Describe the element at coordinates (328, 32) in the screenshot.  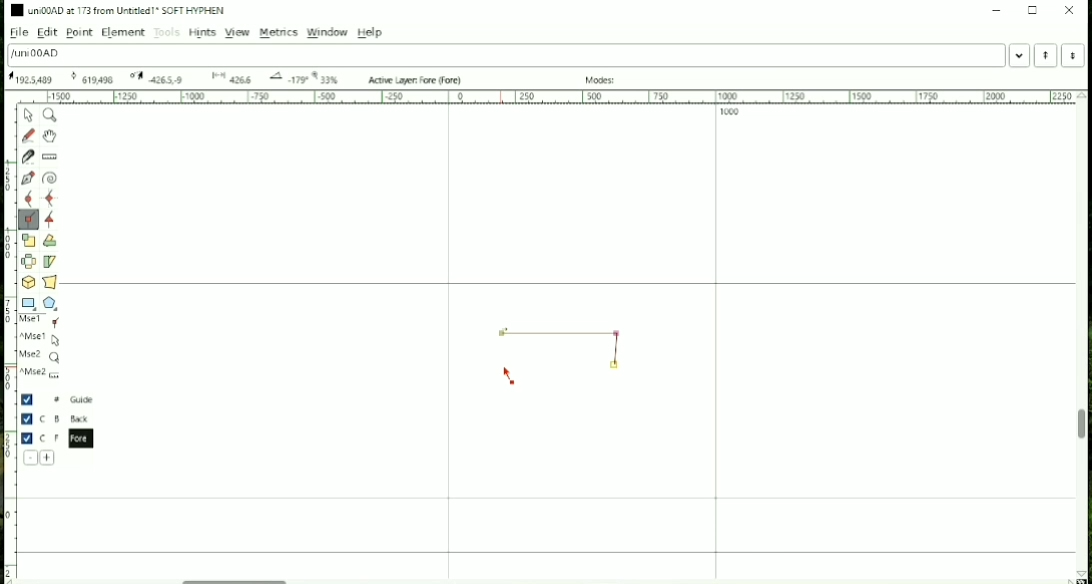
I see `Window` at that location.